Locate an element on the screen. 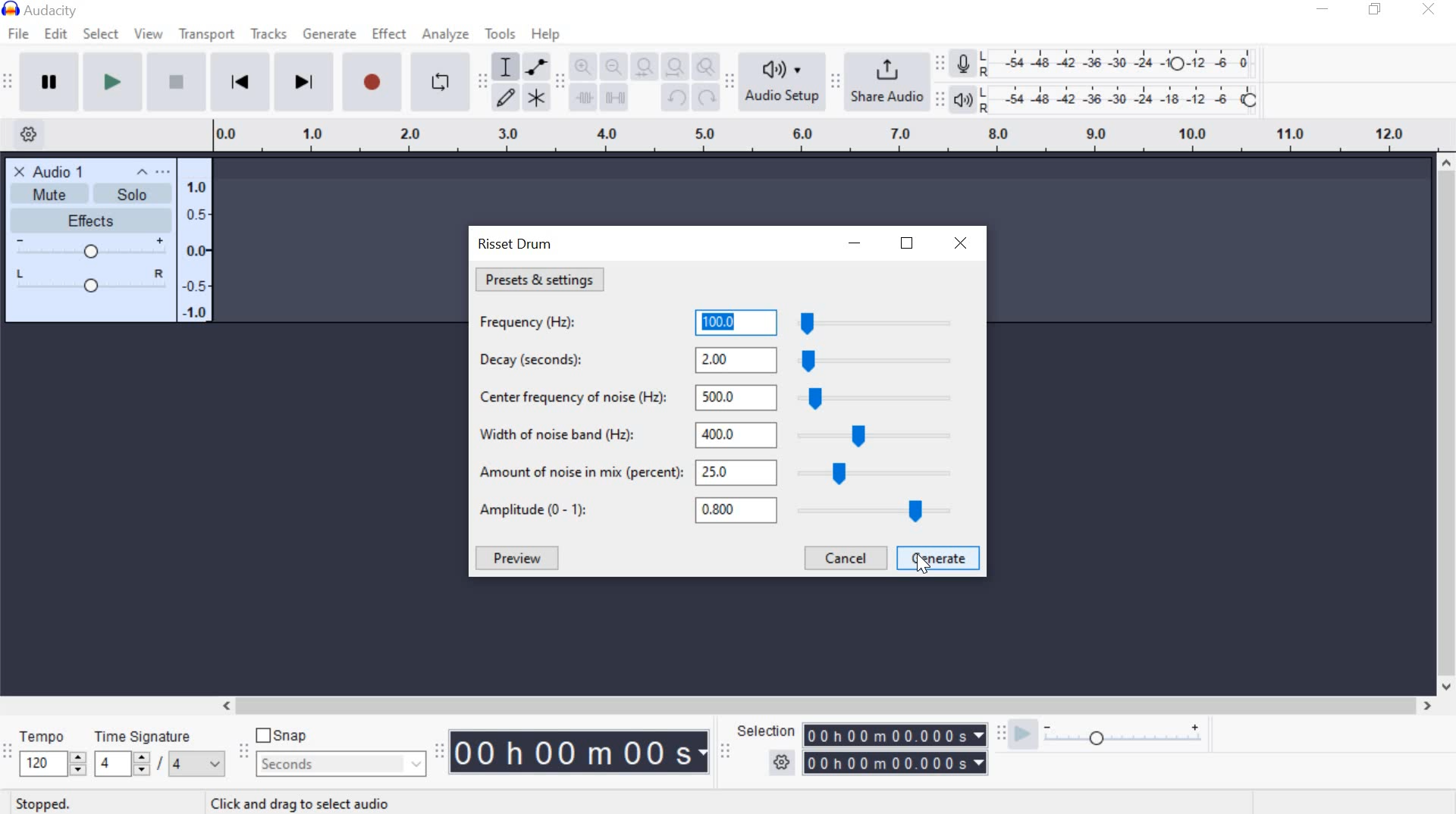 The height and width of the screenshot is (814, 1456). Share Audio is located at coordinates (884, 79).